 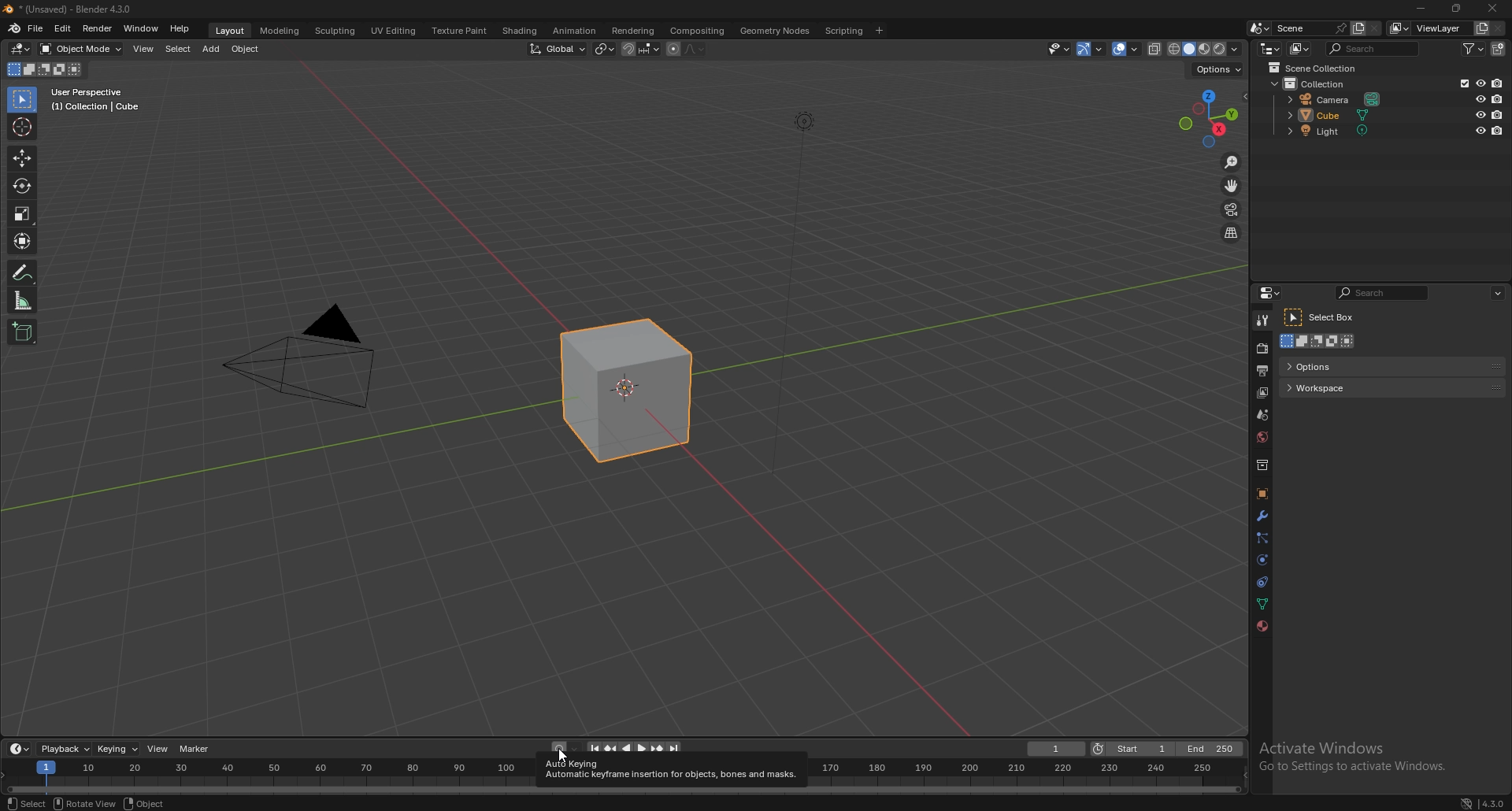 What do you see at coordinates (565, 749) in the screenshot?
I see `auto keying` at bounding box center [565, 749].